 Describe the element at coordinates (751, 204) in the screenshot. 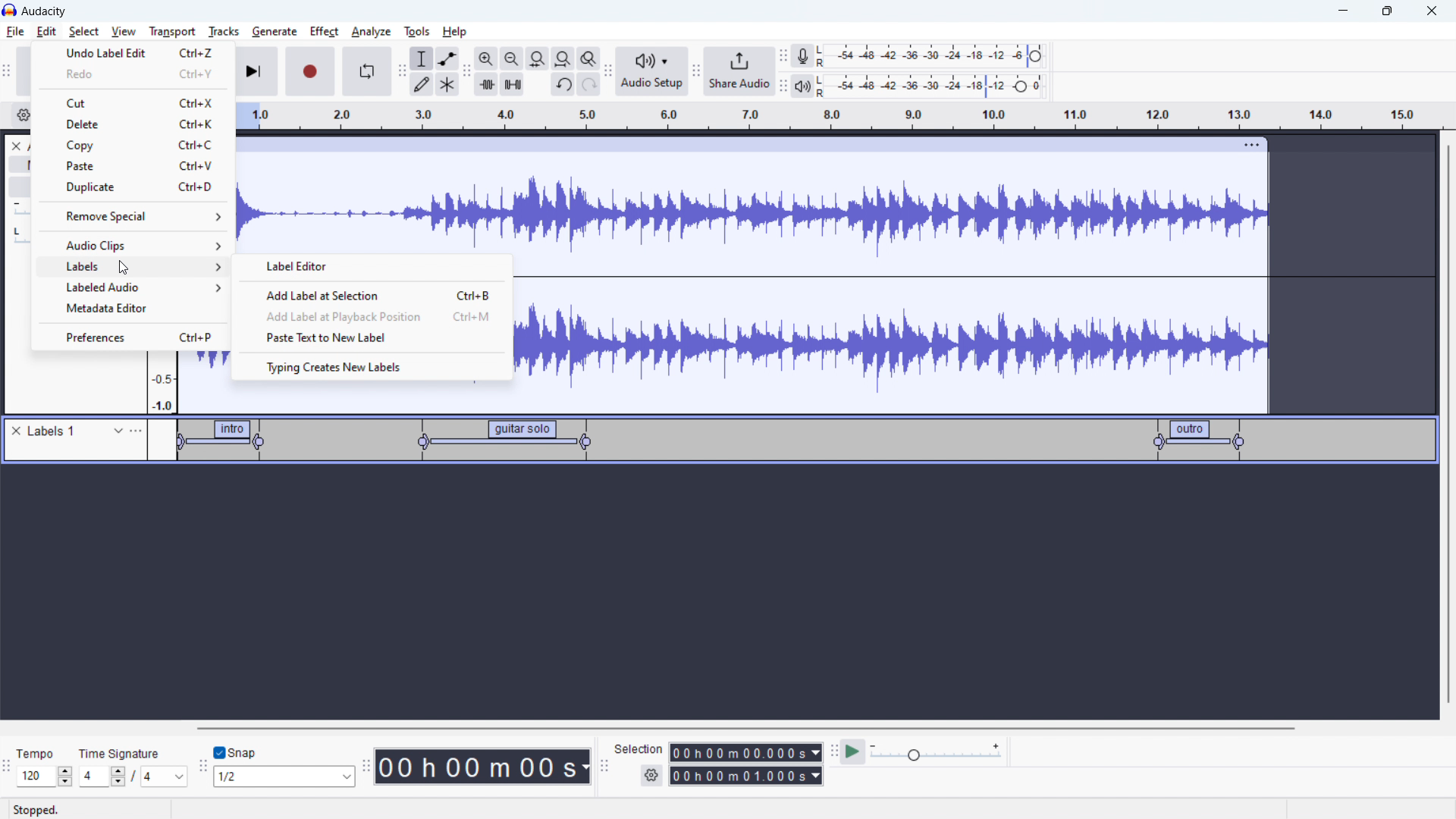

I see `audio waveform` at that location.